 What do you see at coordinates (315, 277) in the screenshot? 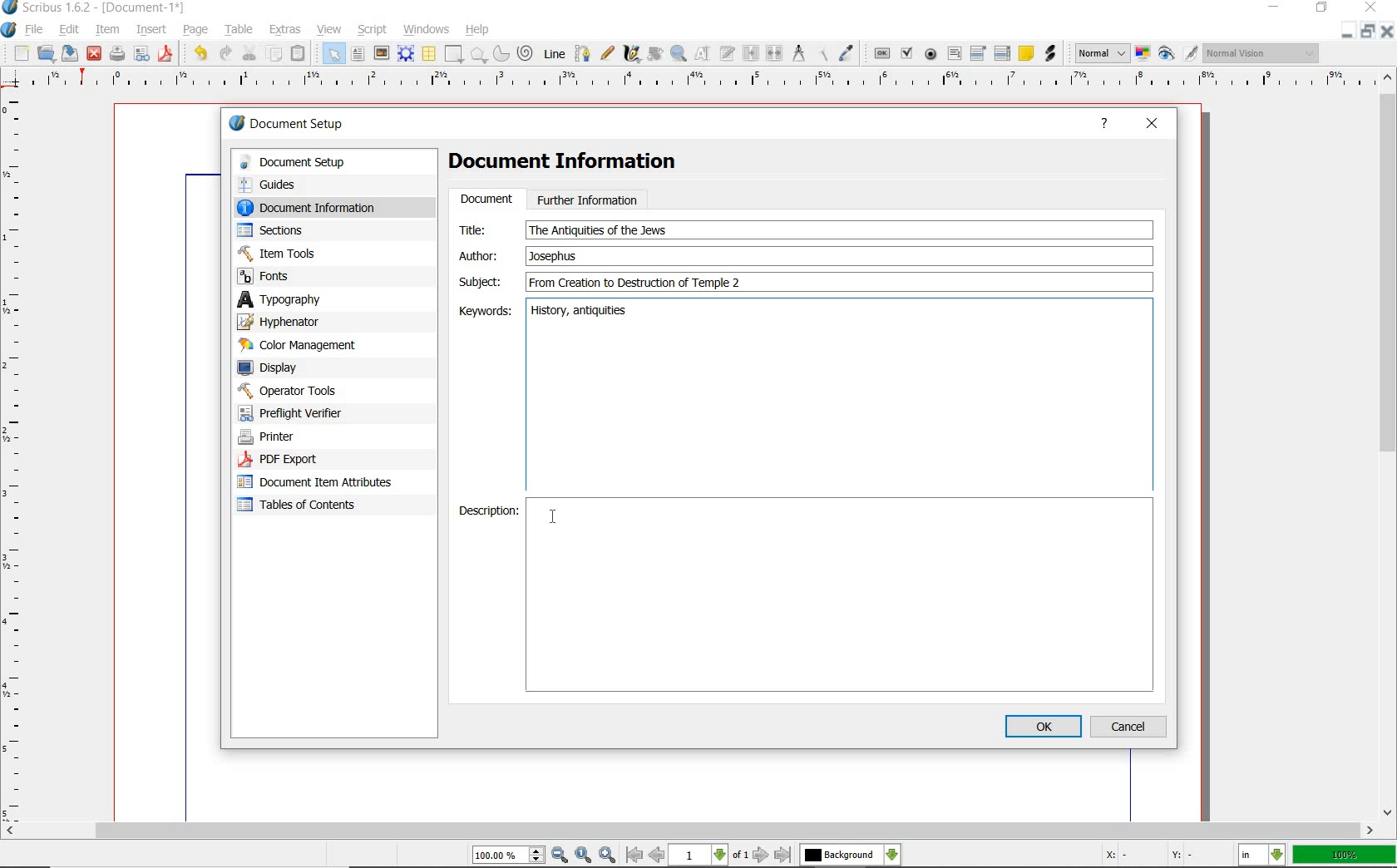
I see `fonts` at bounding box center [315, 277].